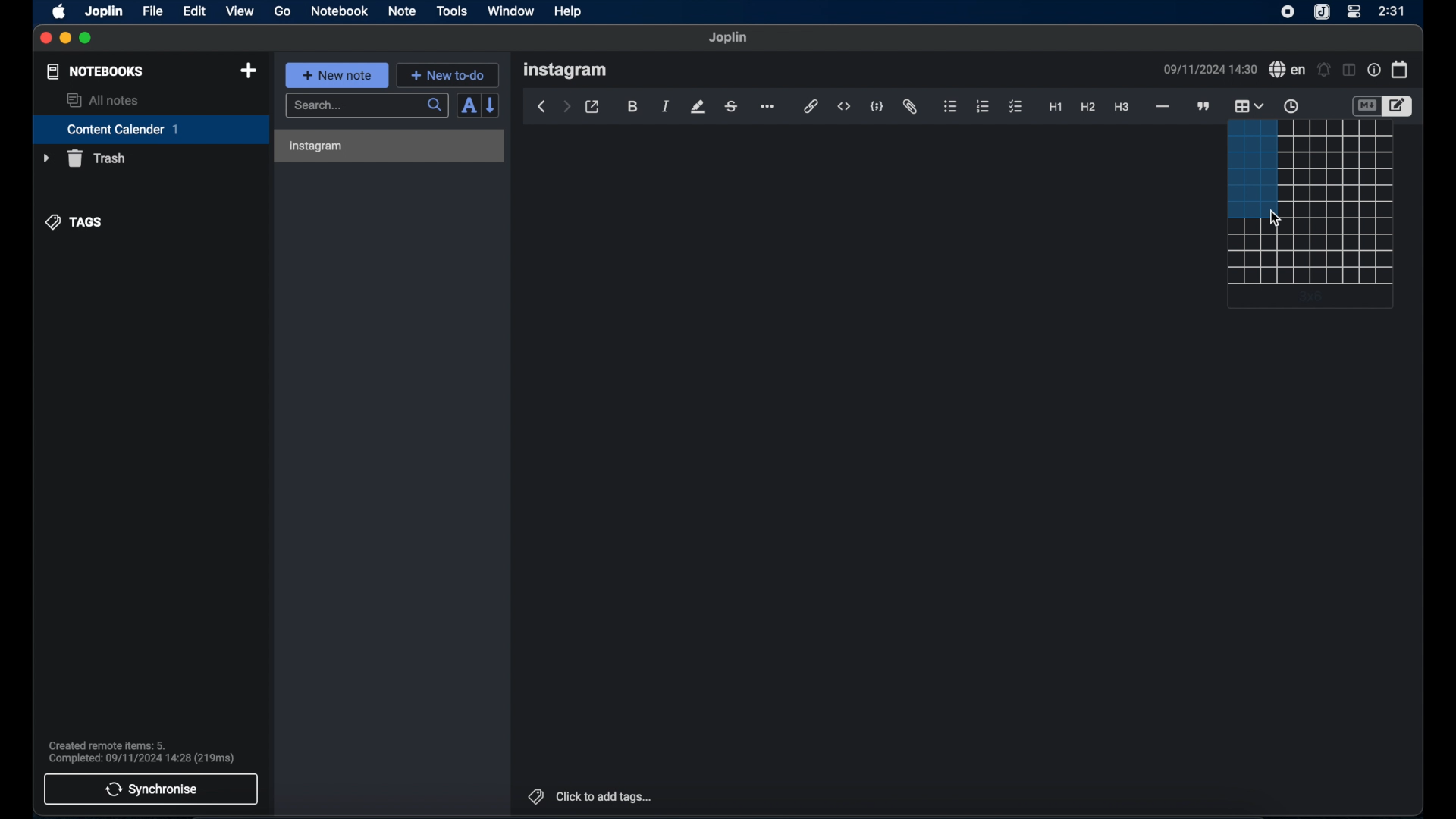 Image resolution: width=1456 pixels, height=819 pixels. I want to click on window, so click(511, 11).